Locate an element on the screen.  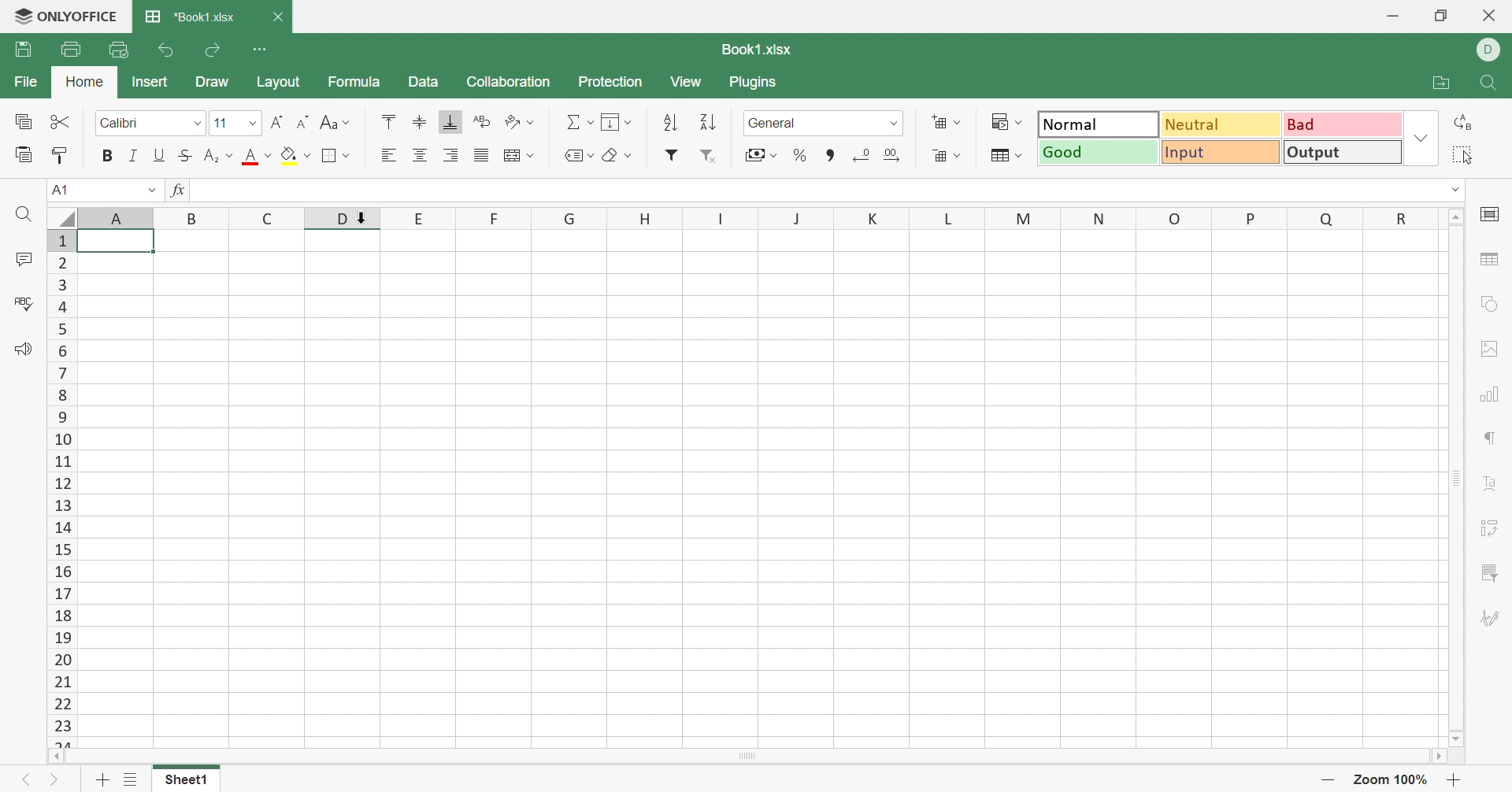
ONLYOFFICE is located at coordinates (65, 17).